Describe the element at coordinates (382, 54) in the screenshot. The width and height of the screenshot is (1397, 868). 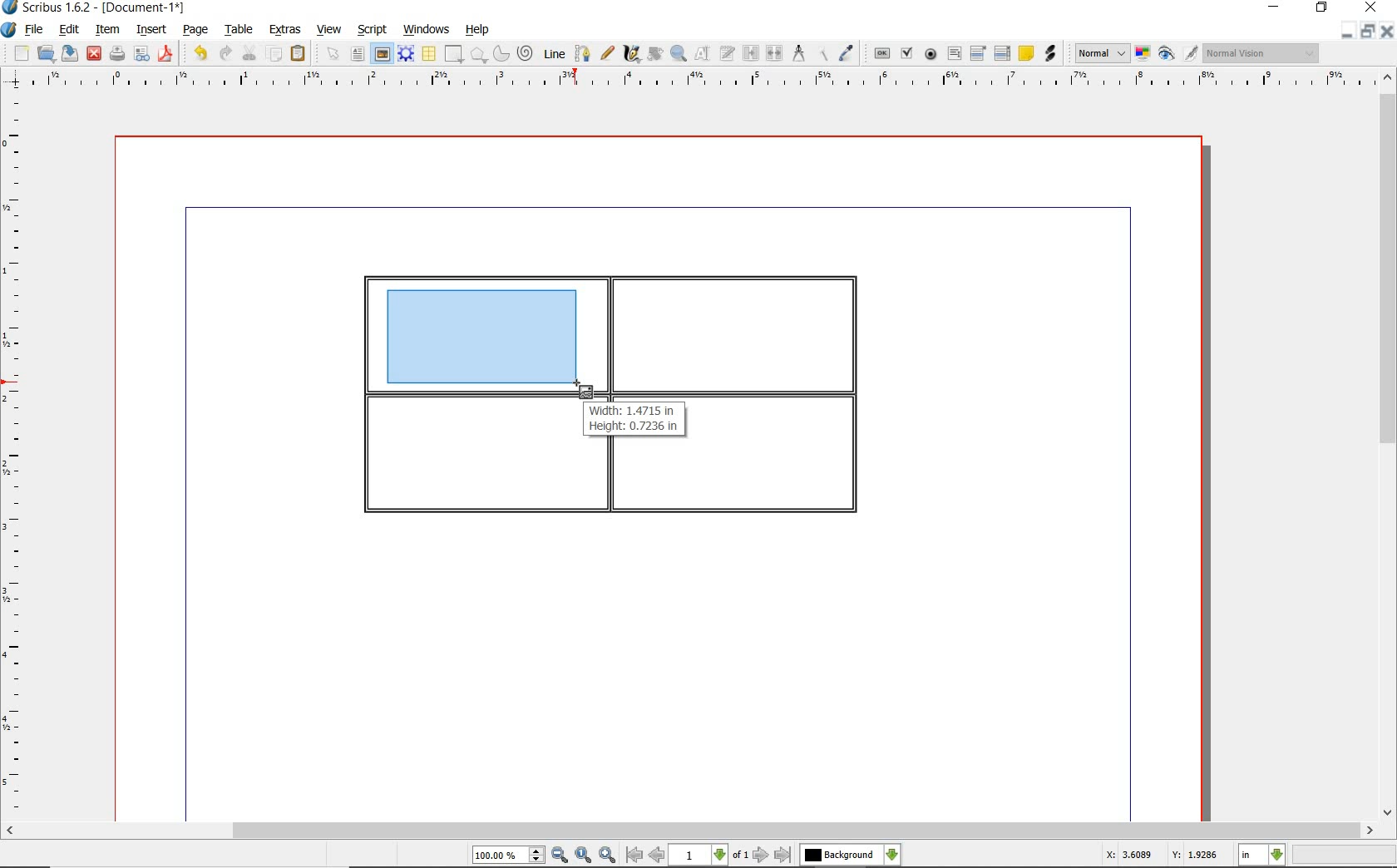
I see `image` at that location.